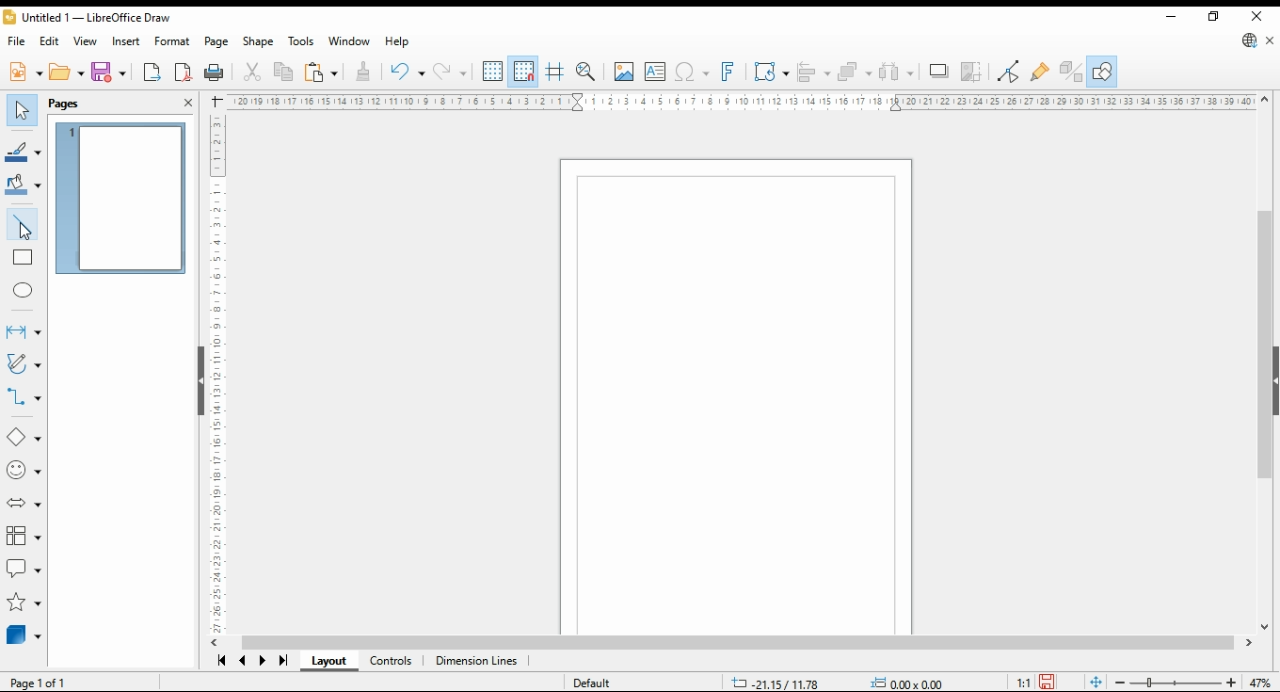 Image resolution: width=1280 pixels, height=692 pixels. Describe the element at coordinates (86, 41) in the screenshot. I see `view` at that location.